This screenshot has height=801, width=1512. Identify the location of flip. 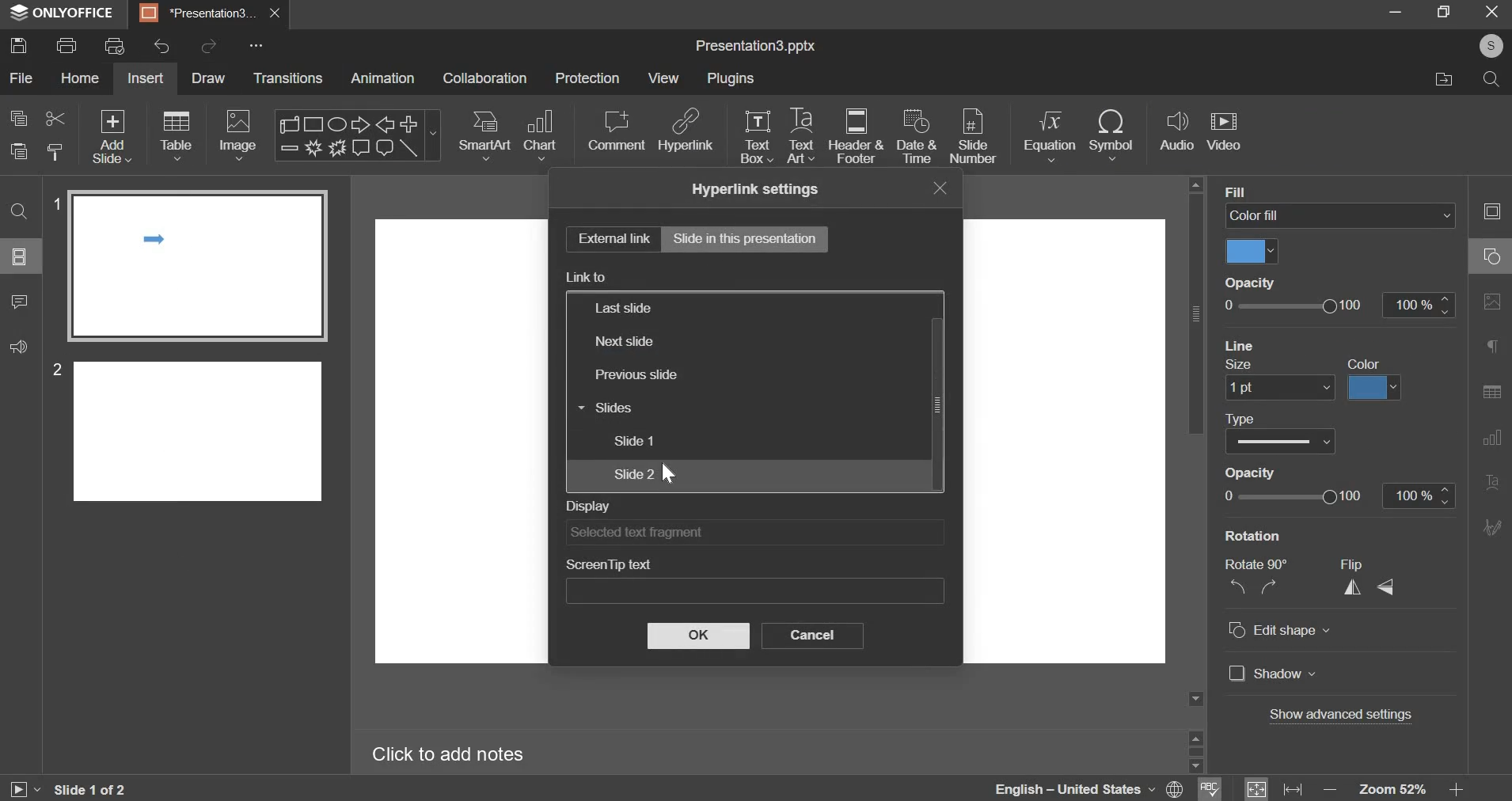
(1351, 565).